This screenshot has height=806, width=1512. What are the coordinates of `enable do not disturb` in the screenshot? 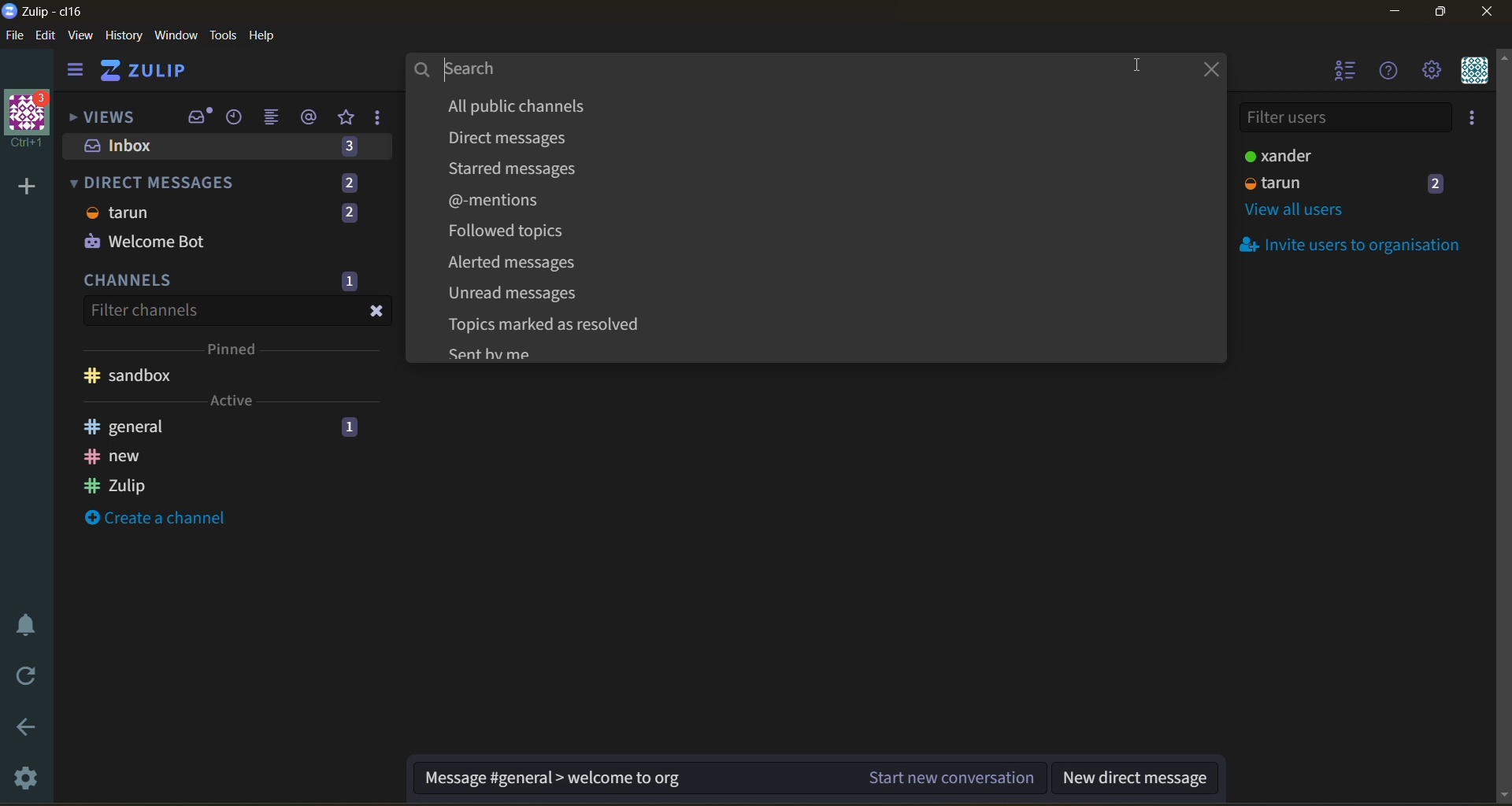 It's located at (31, 623).